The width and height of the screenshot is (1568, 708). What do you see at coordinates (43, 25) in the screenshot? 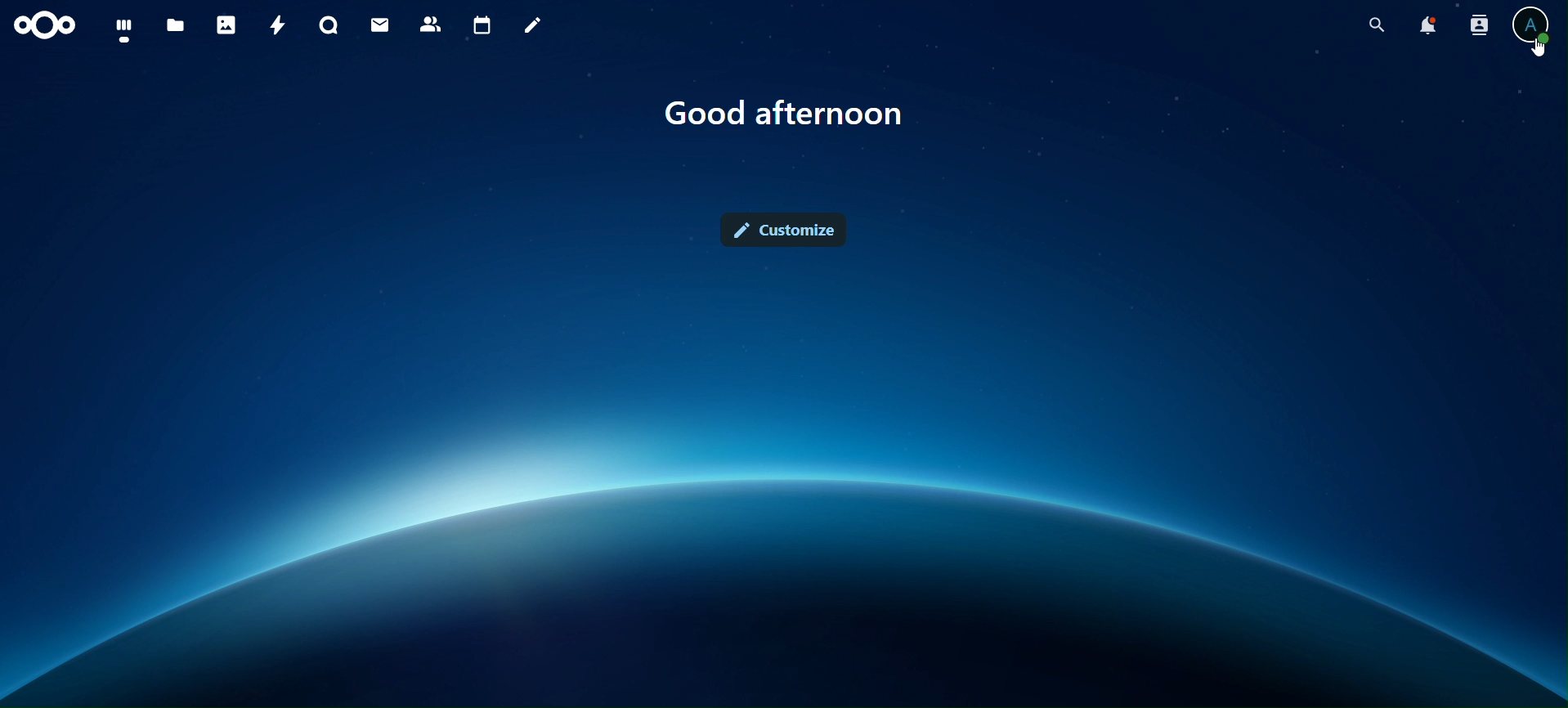
I see `icon` at bounding box center [43, 25].